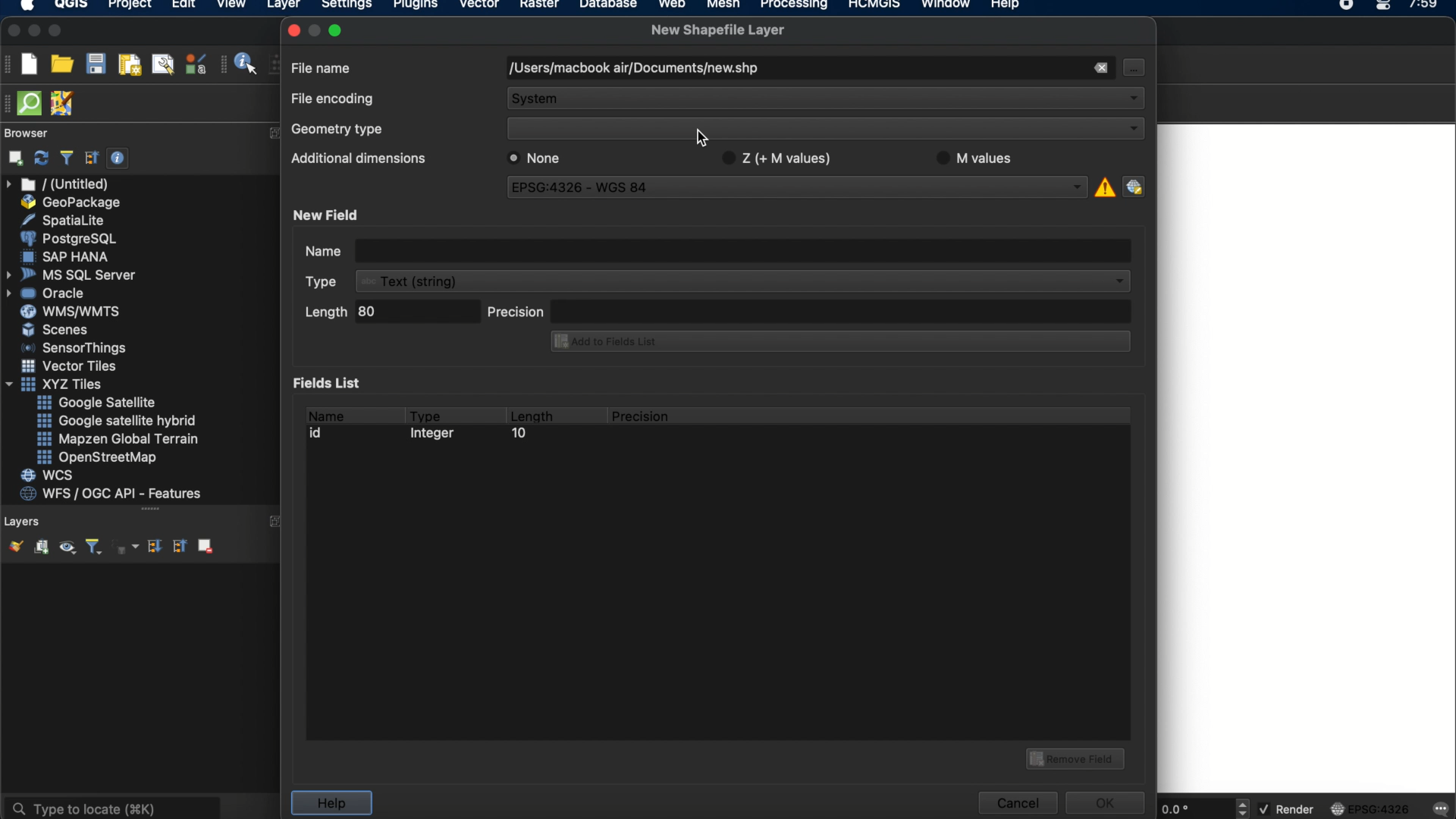 The height and width of the screenshot is (819, 1456). Describe the element at coordinates (74, 274) in the screenshot. I see `ms sql server` at that location.